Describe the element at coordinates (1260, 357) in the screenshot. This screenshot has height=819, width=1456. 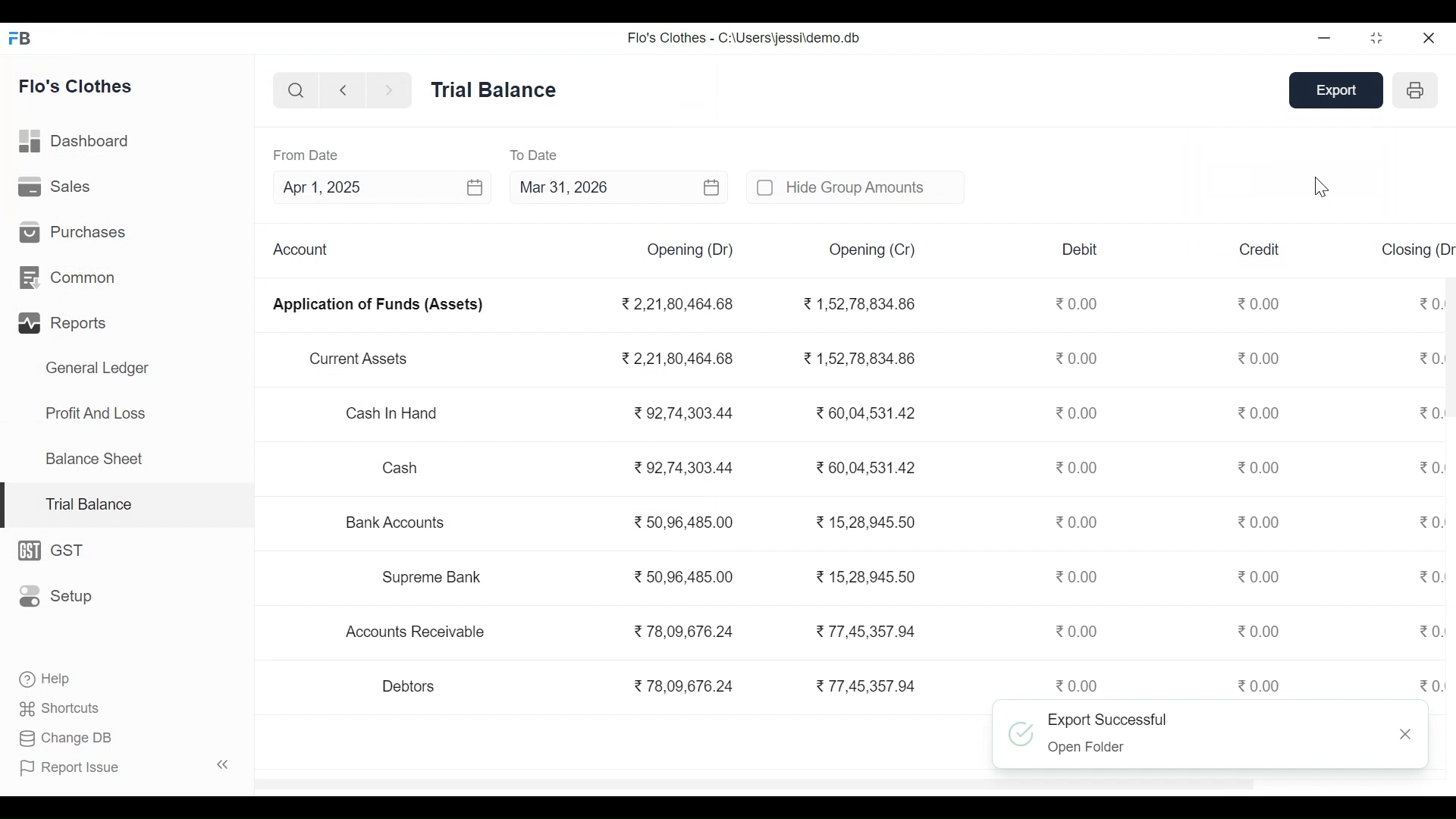
I see `0.00` at that location.